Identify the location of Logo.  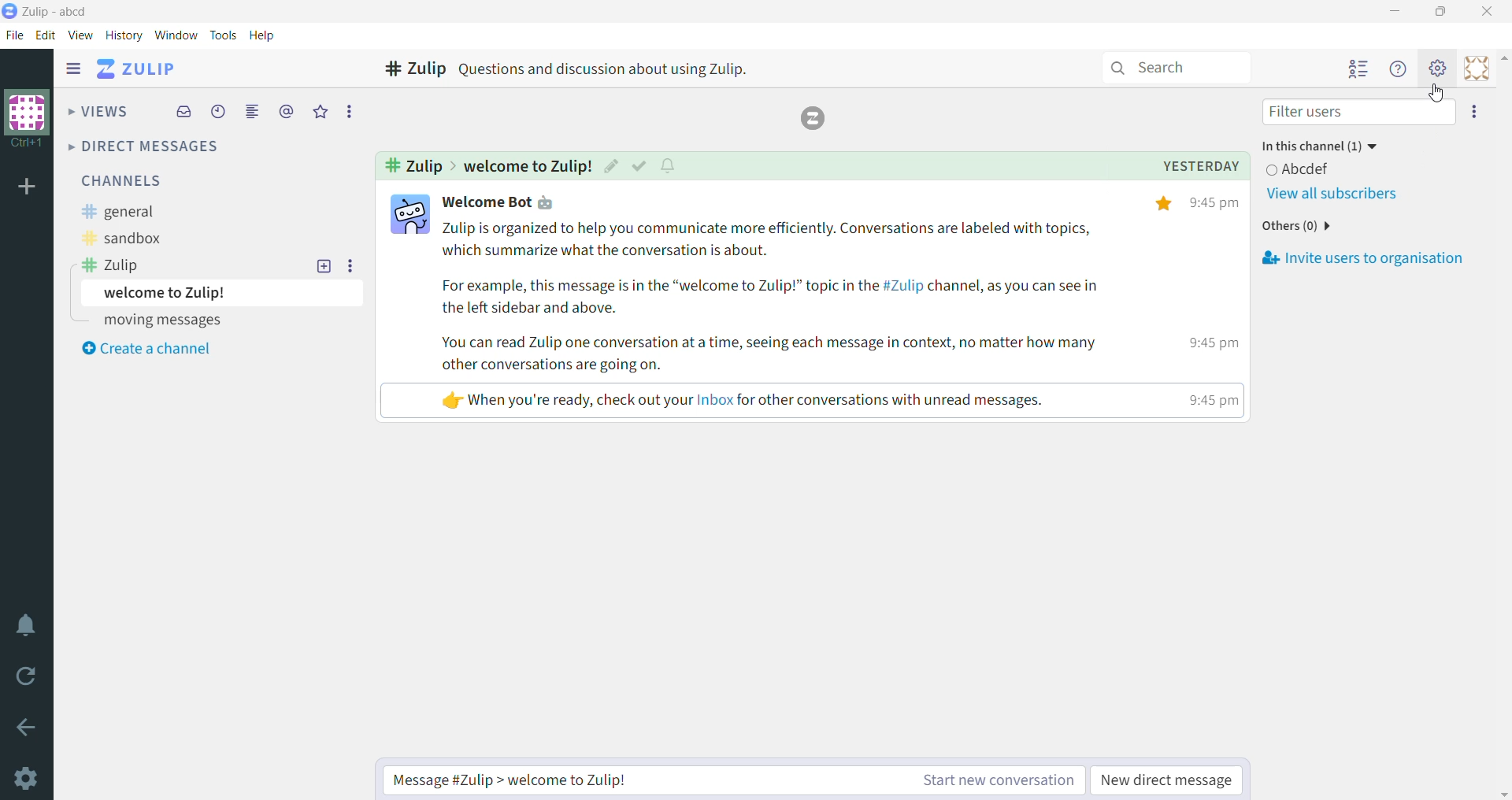
(812, 119).